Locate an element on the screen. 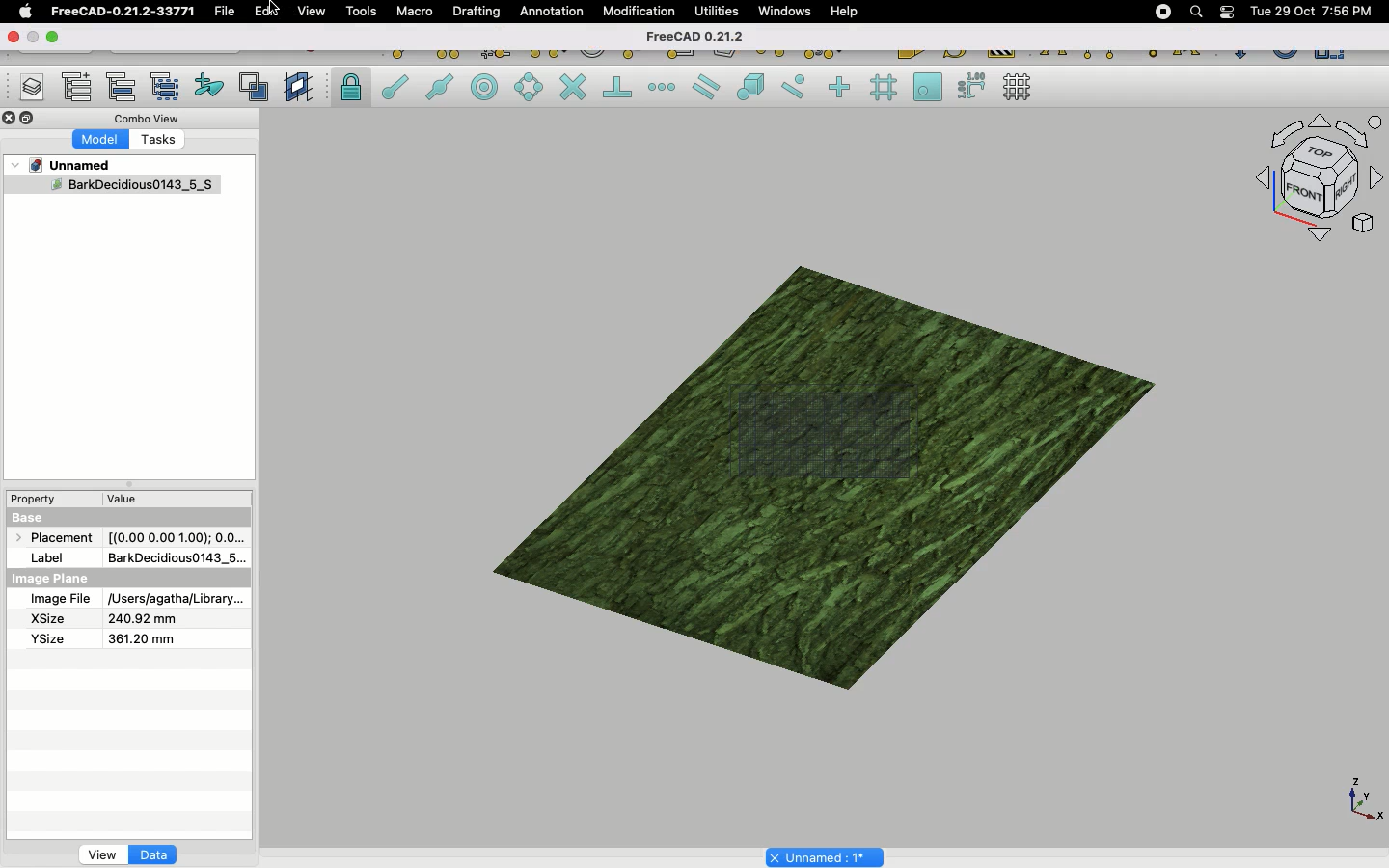 The image size is (1389, 868). Move to group is located at coordinates (124, 87).